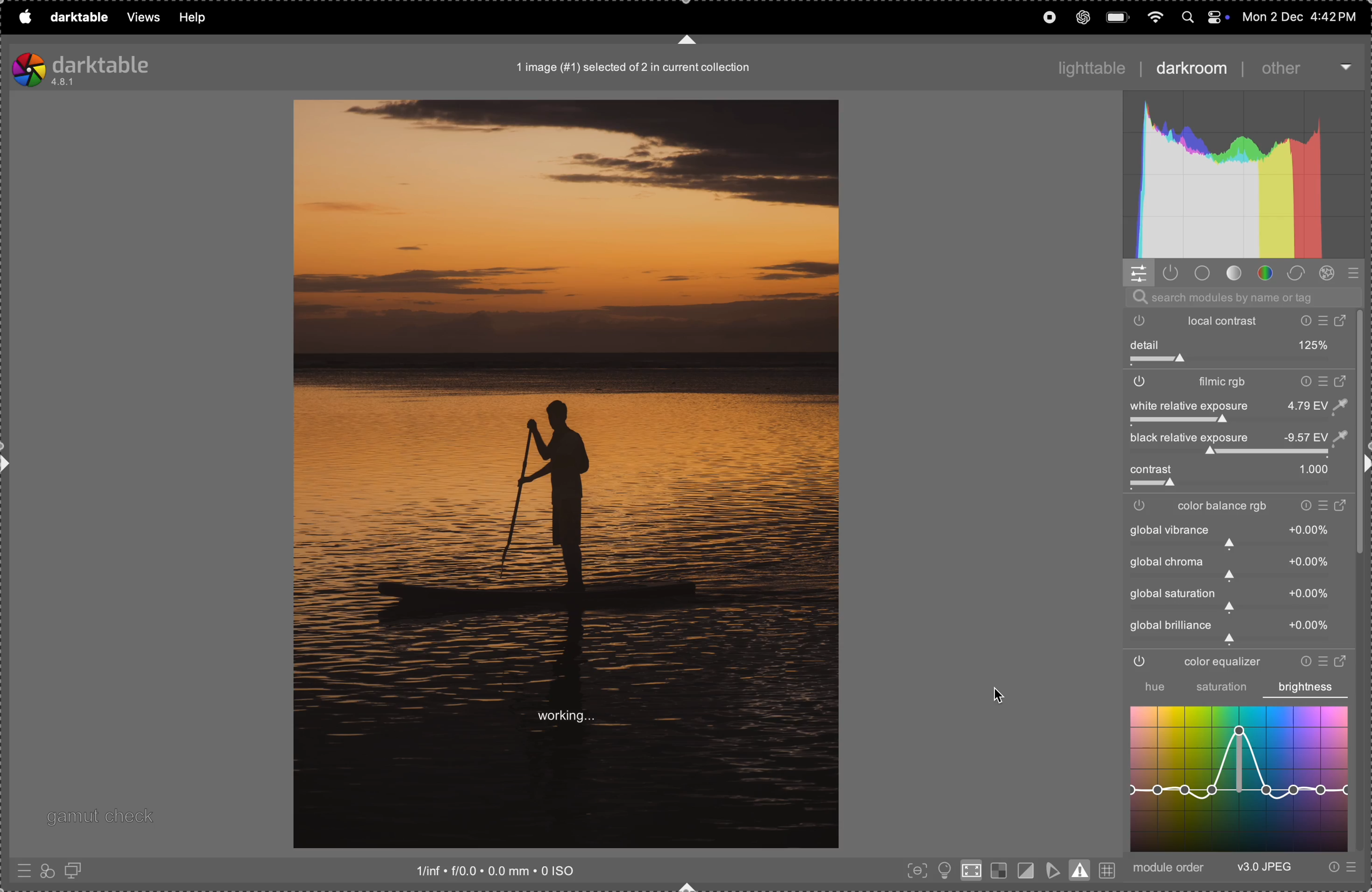  What do you see at coordinates (970, 873) in the screenshot?
I see `toggle iso` at bounding box center [970, 873].